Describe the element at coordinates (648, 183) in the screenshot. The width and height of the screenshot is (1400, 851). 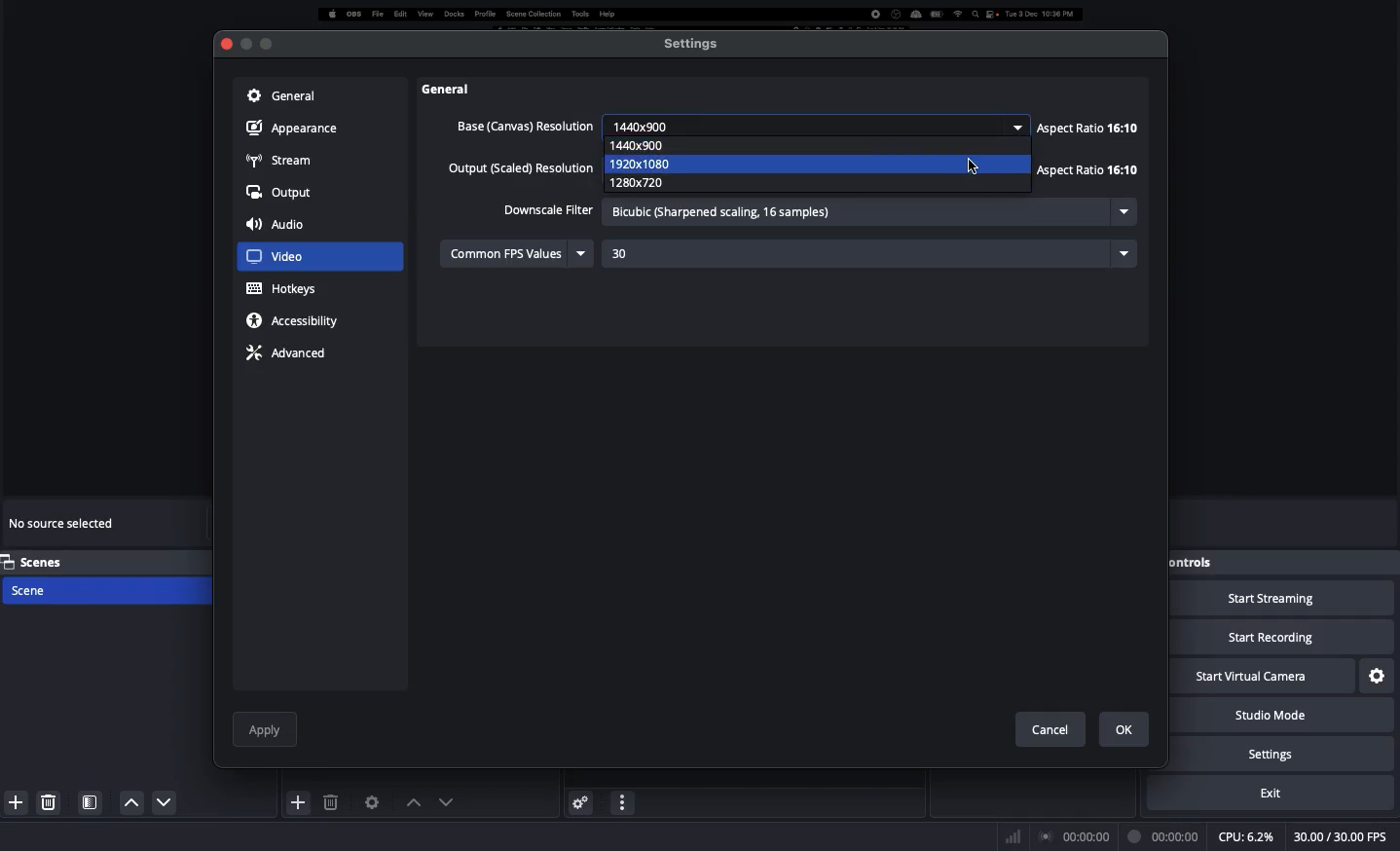
I see `1280X720` at that location.